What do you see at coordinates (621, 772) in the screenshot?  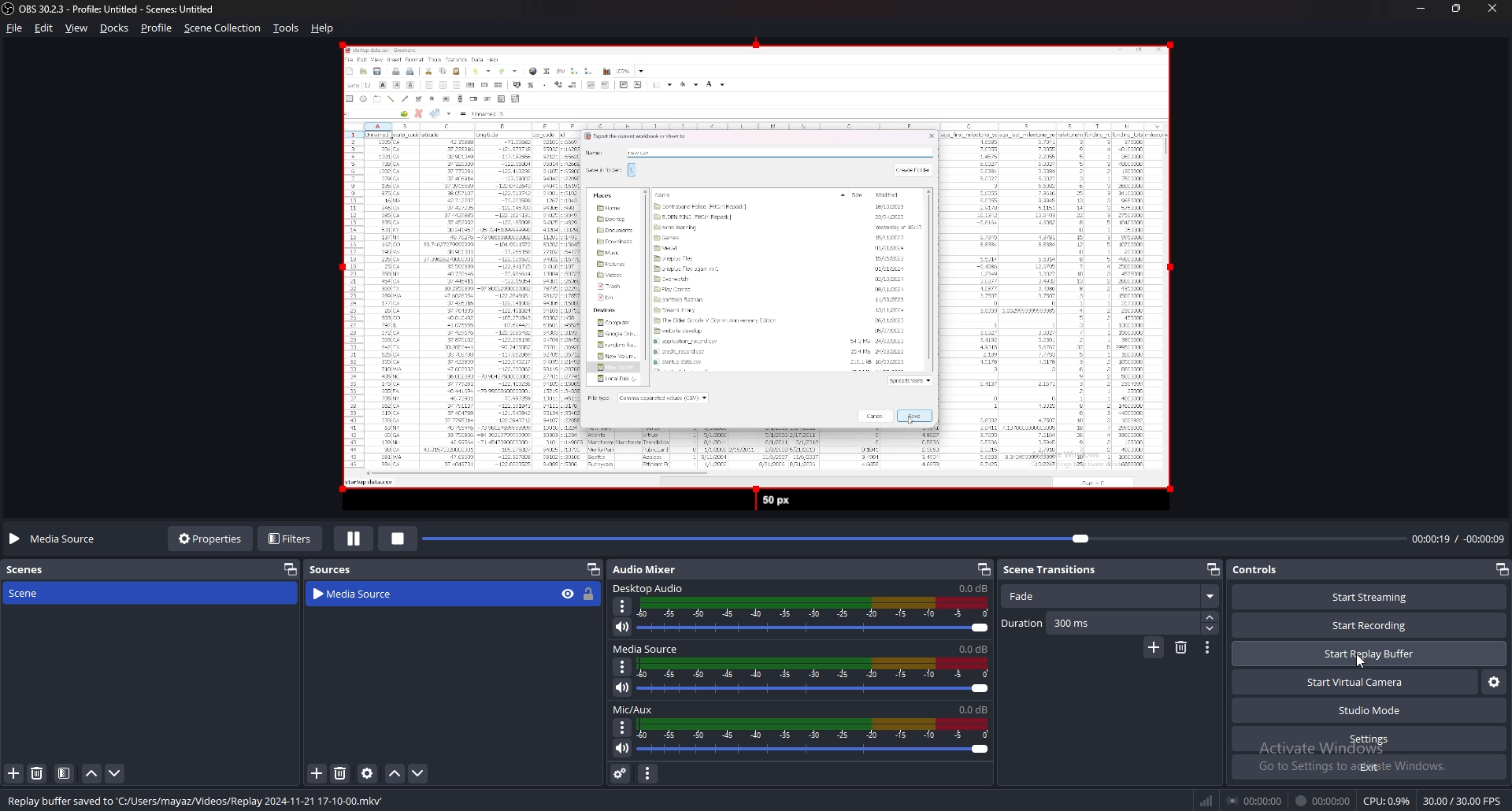 I see `advanced audio properties` at bounding box center [621, 772].